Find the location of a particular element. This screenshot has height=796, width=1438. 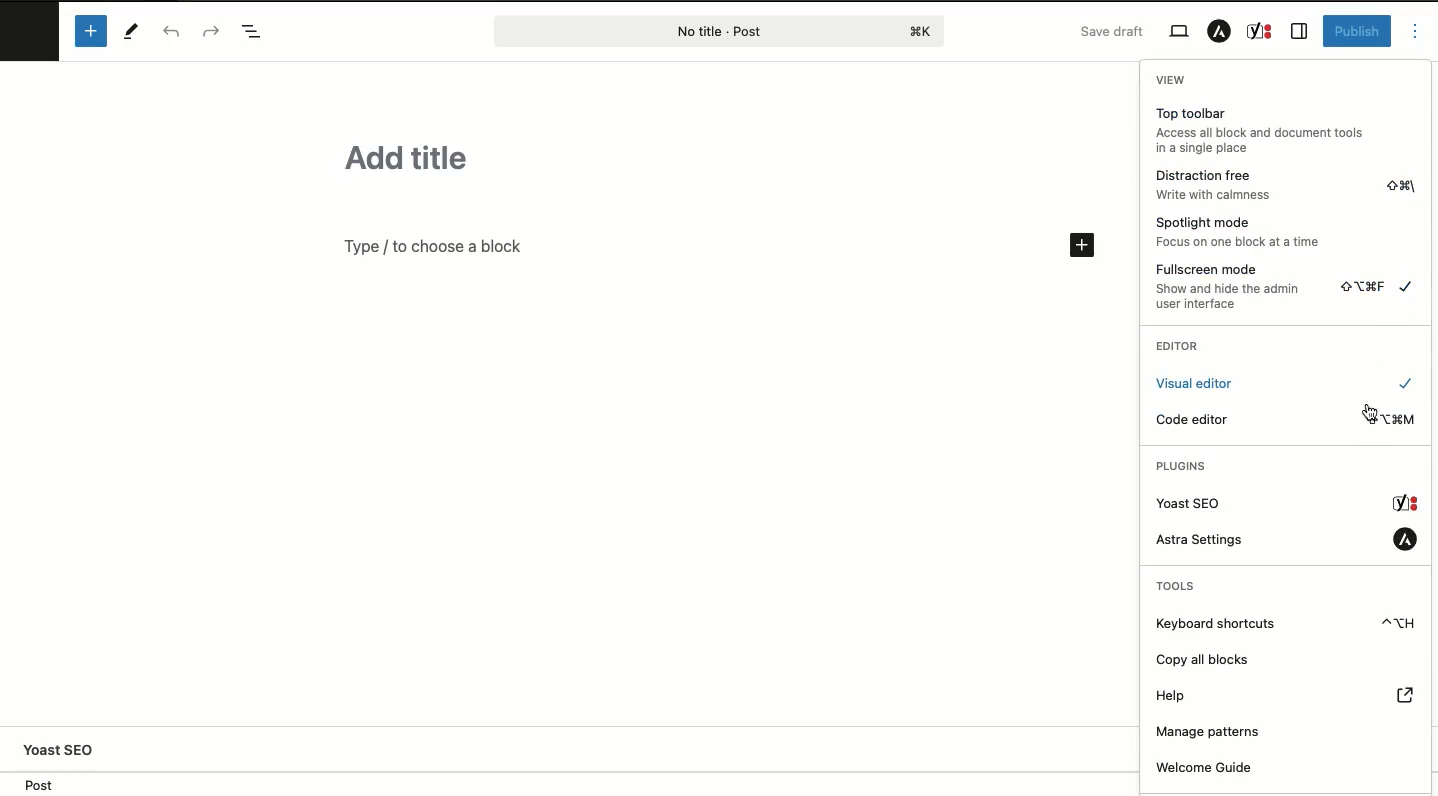

Tools is located at coordinates (132, 32).